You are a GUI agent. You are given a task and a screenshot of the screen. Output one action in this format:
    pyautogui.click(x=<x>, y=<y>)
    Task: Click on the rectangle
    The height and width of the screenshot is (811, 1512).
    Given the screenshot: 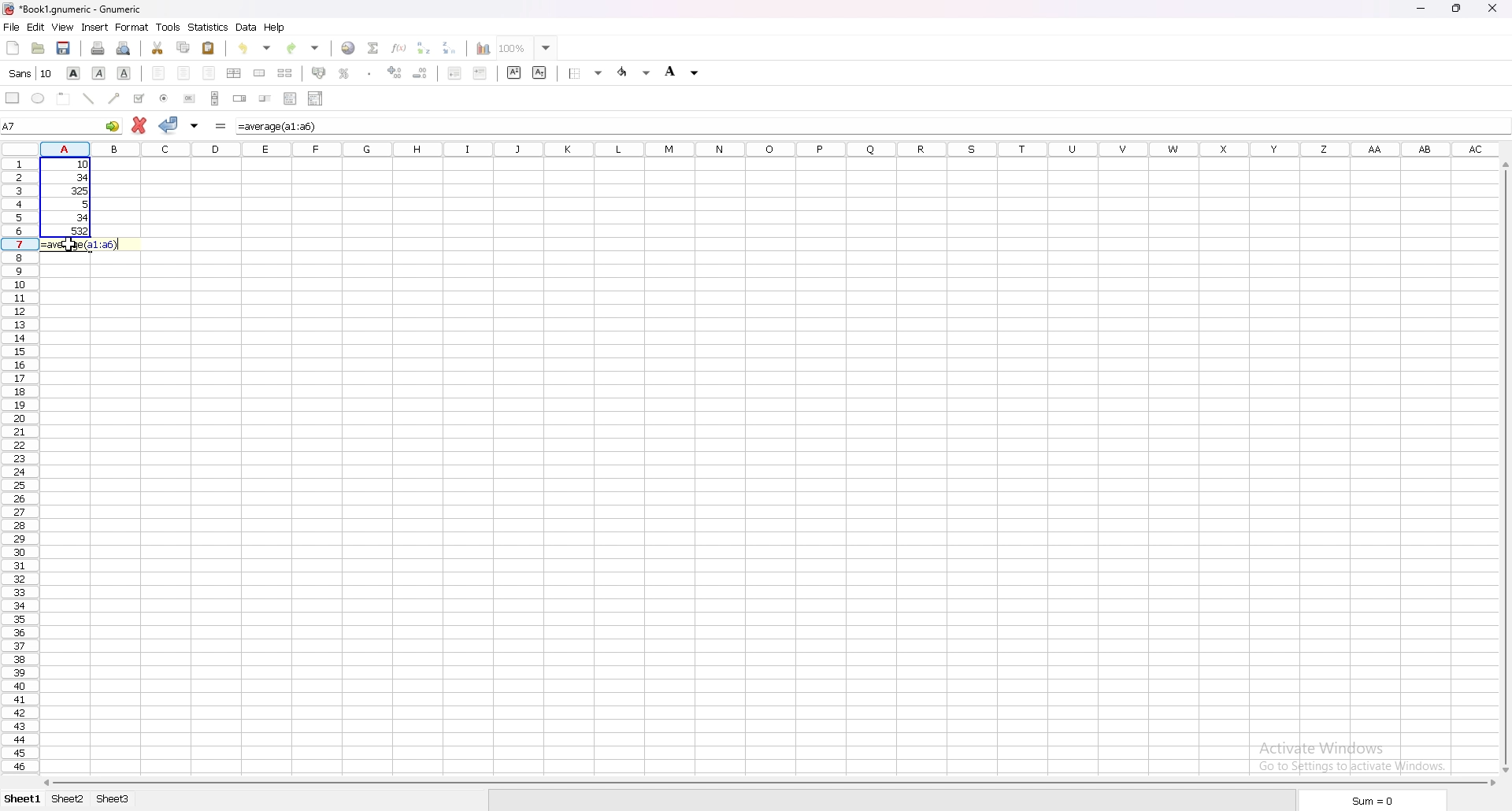 What is the action you would take?
    pyautogui.click(x=13, y=97)
    